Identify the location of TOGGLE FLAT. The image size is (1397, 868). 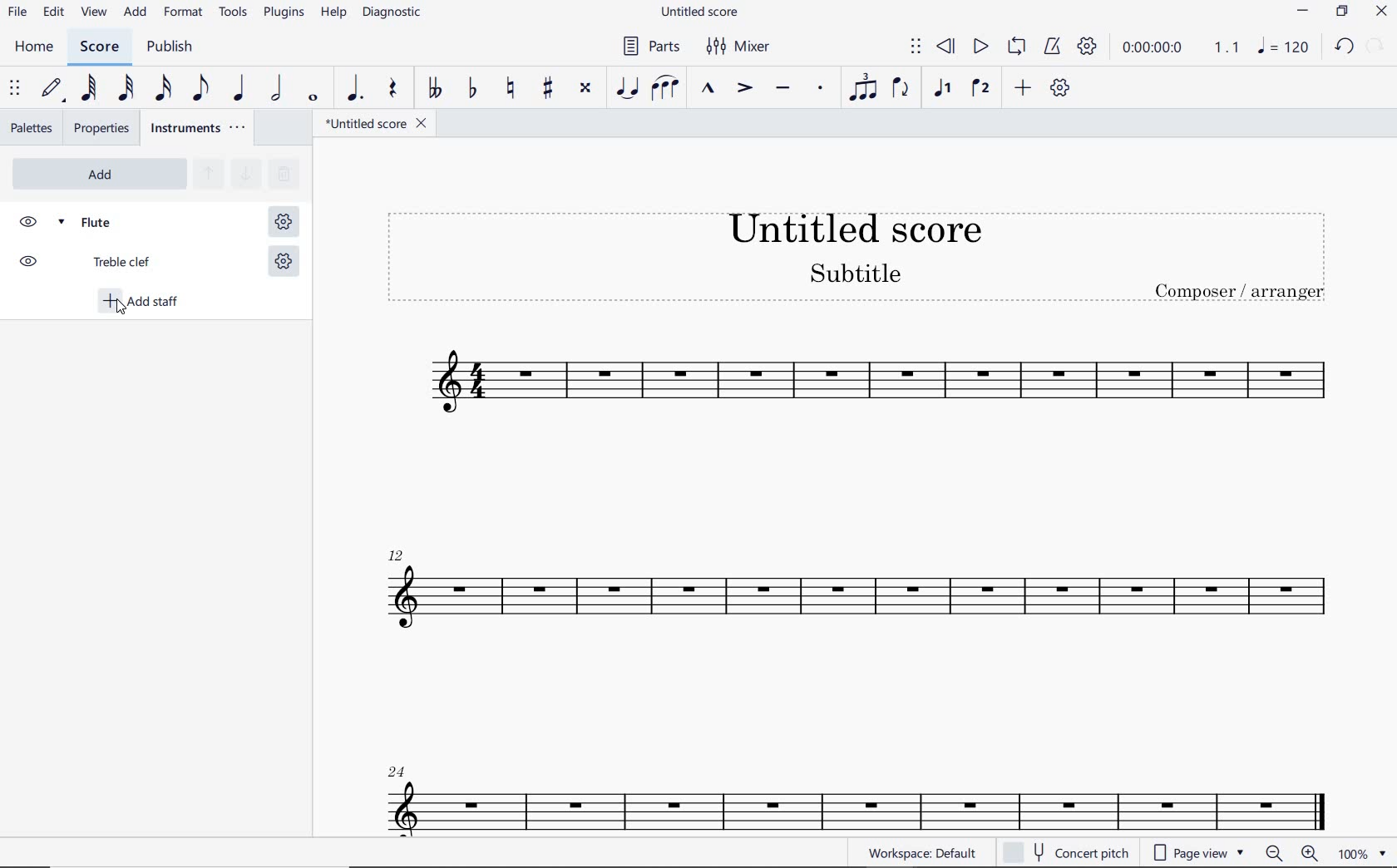
(473, 89).